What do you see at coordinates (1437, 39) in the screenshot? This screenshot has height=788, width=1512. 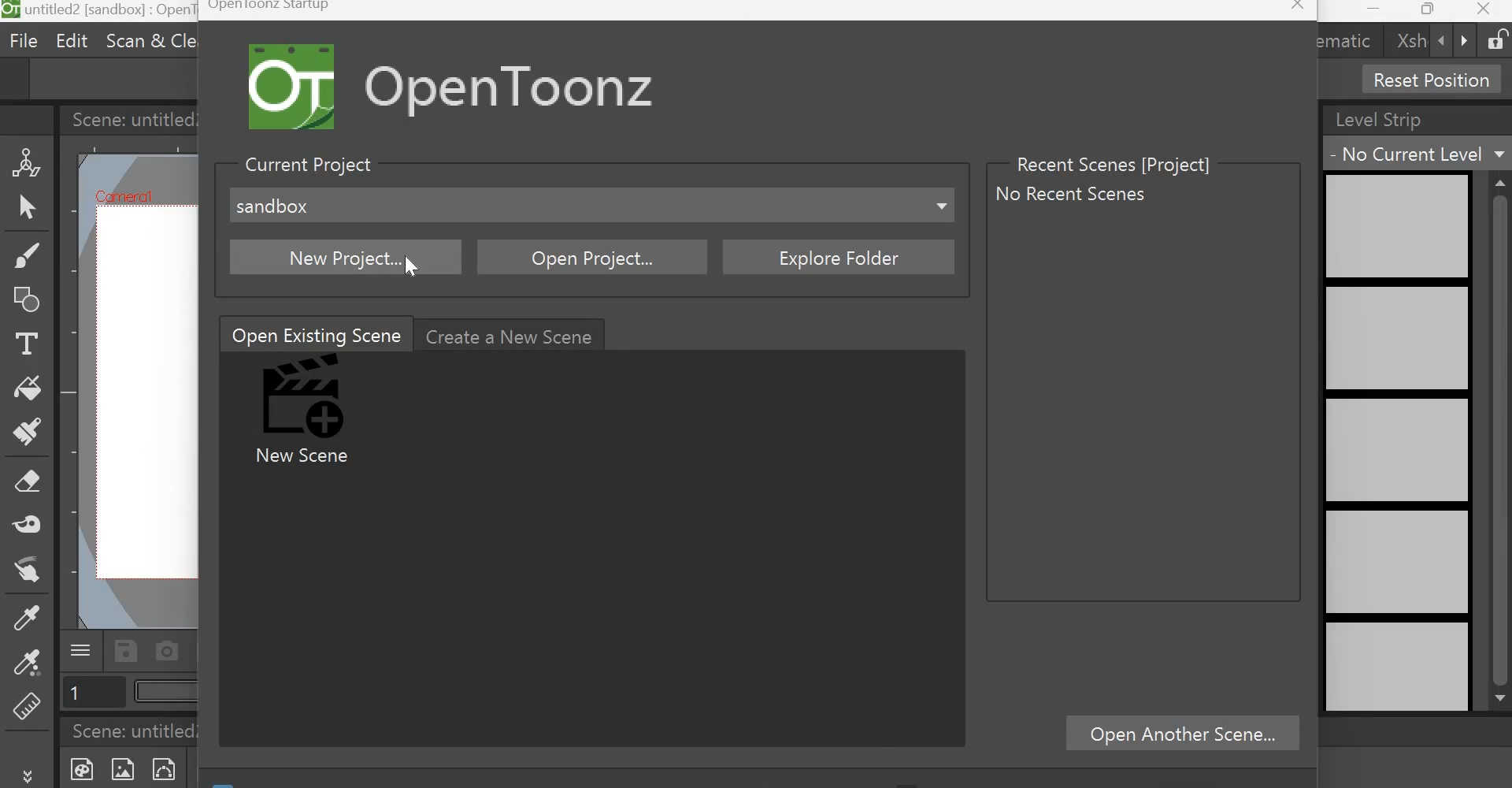 I see `backward` at bounding box center [1437, 39].